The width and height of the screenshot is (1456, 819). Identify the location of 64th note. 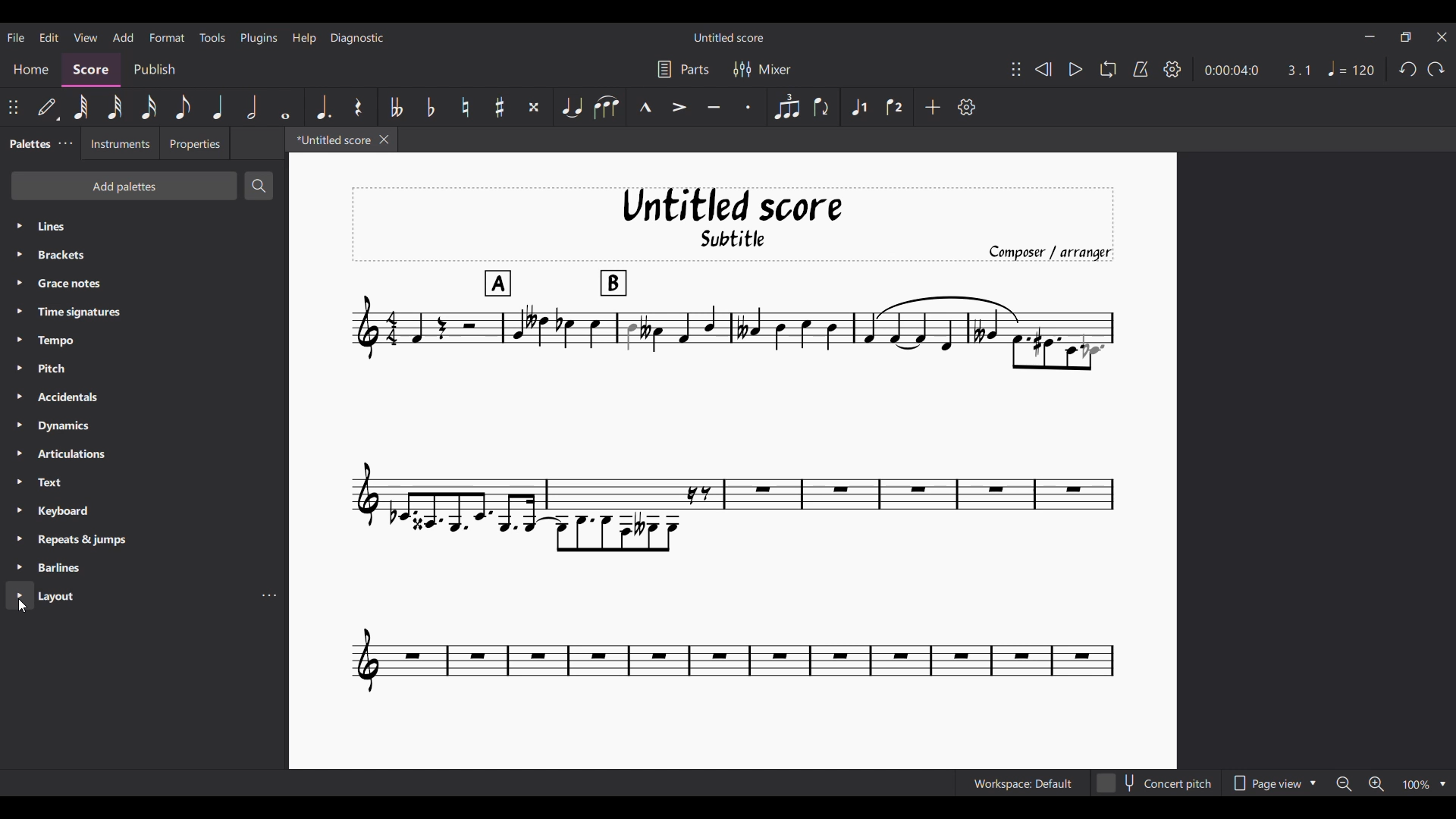
(81, 107).